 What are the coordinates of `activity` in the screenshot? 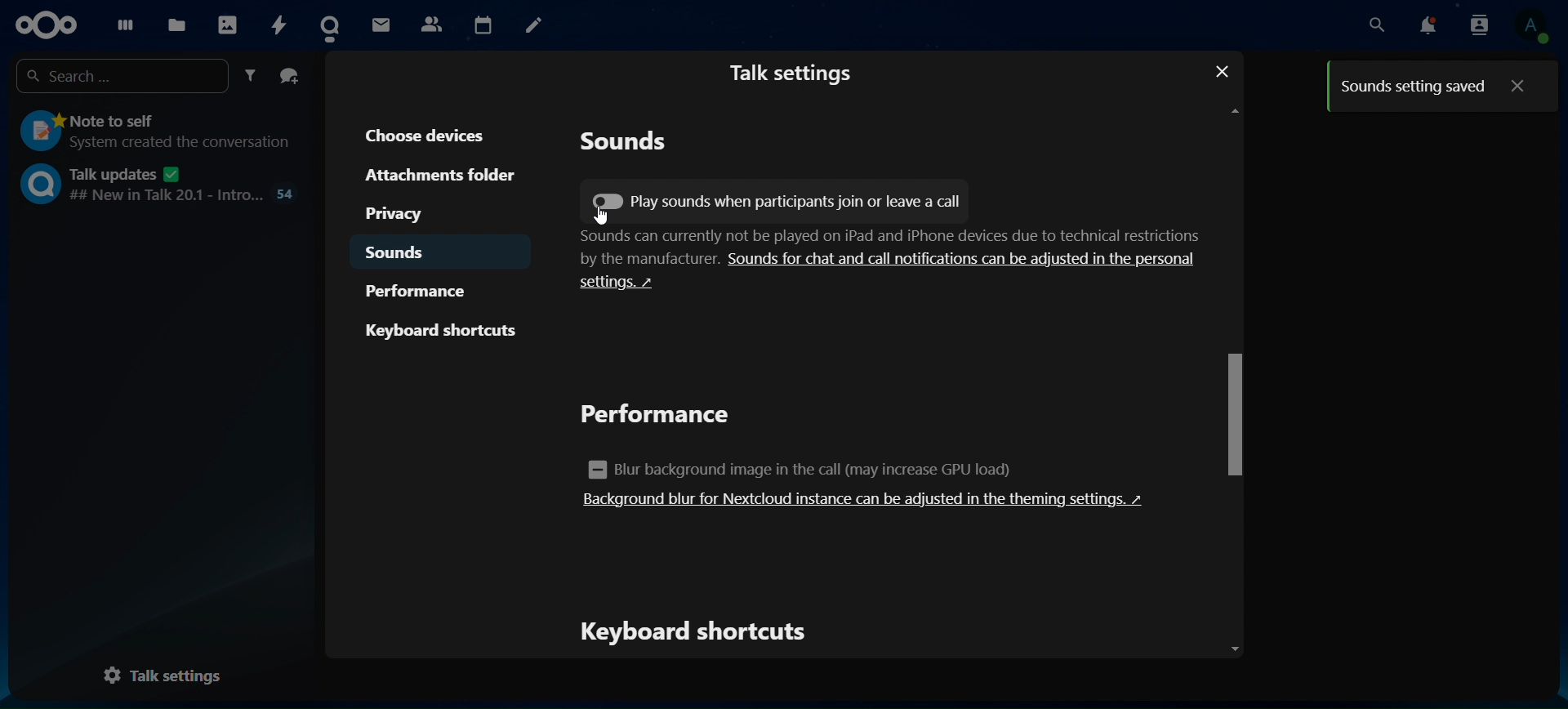 It's located at (280, 24).